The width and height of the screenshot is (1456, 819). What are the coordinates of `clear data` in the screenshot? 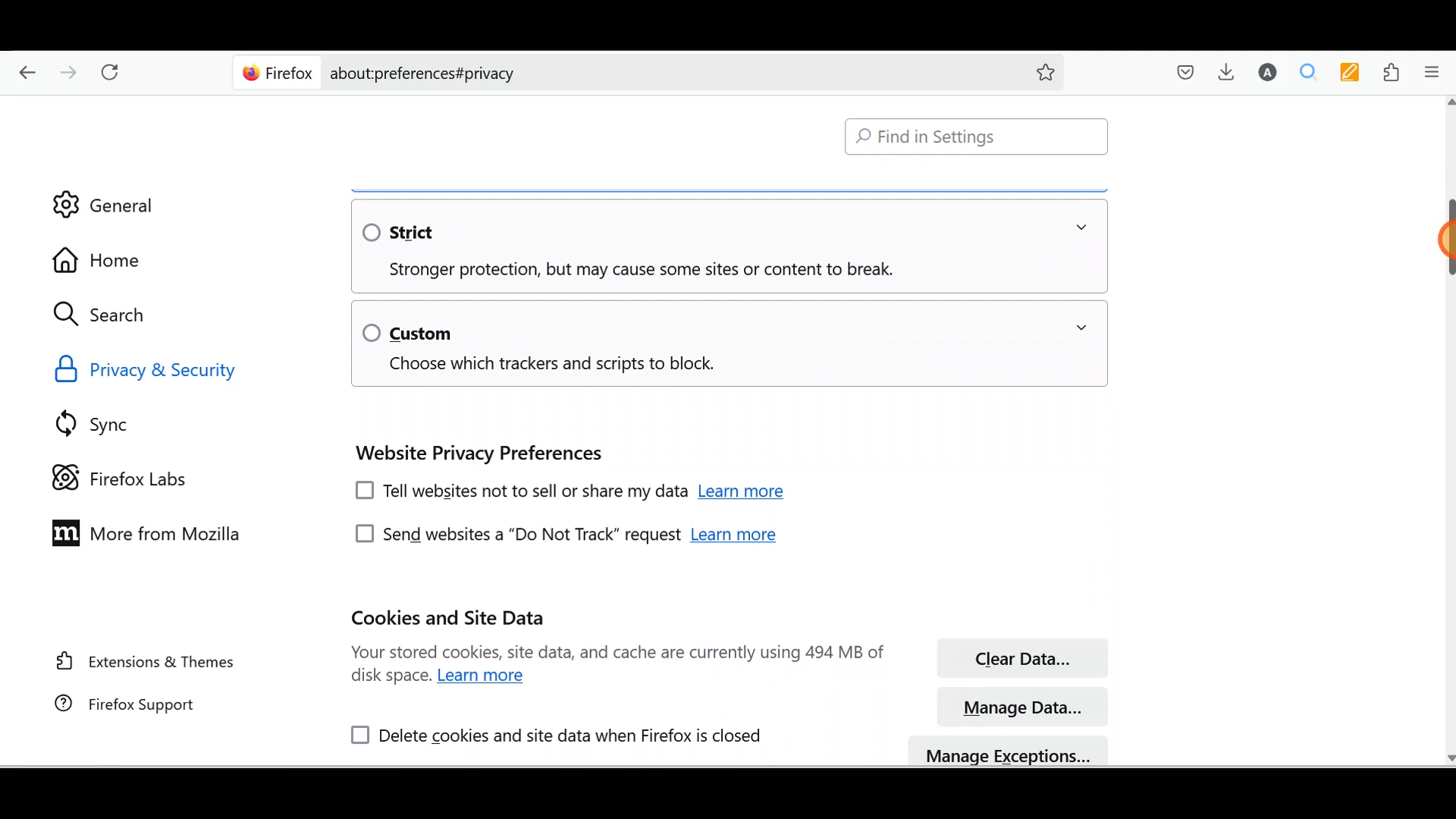 It's located at (1027, 657).